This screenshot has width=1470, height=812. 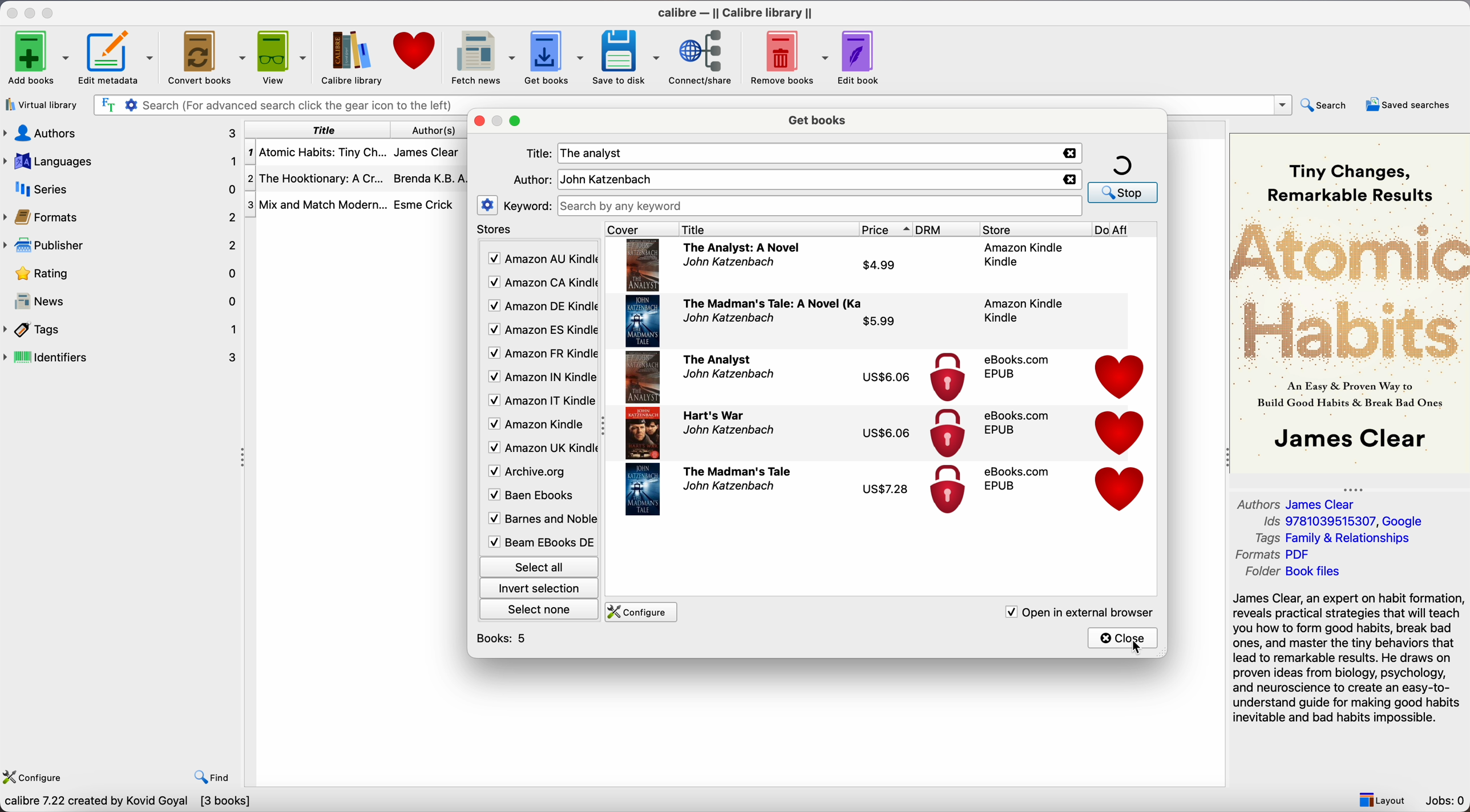 I want to click on select all, so click(x=538, y=565).